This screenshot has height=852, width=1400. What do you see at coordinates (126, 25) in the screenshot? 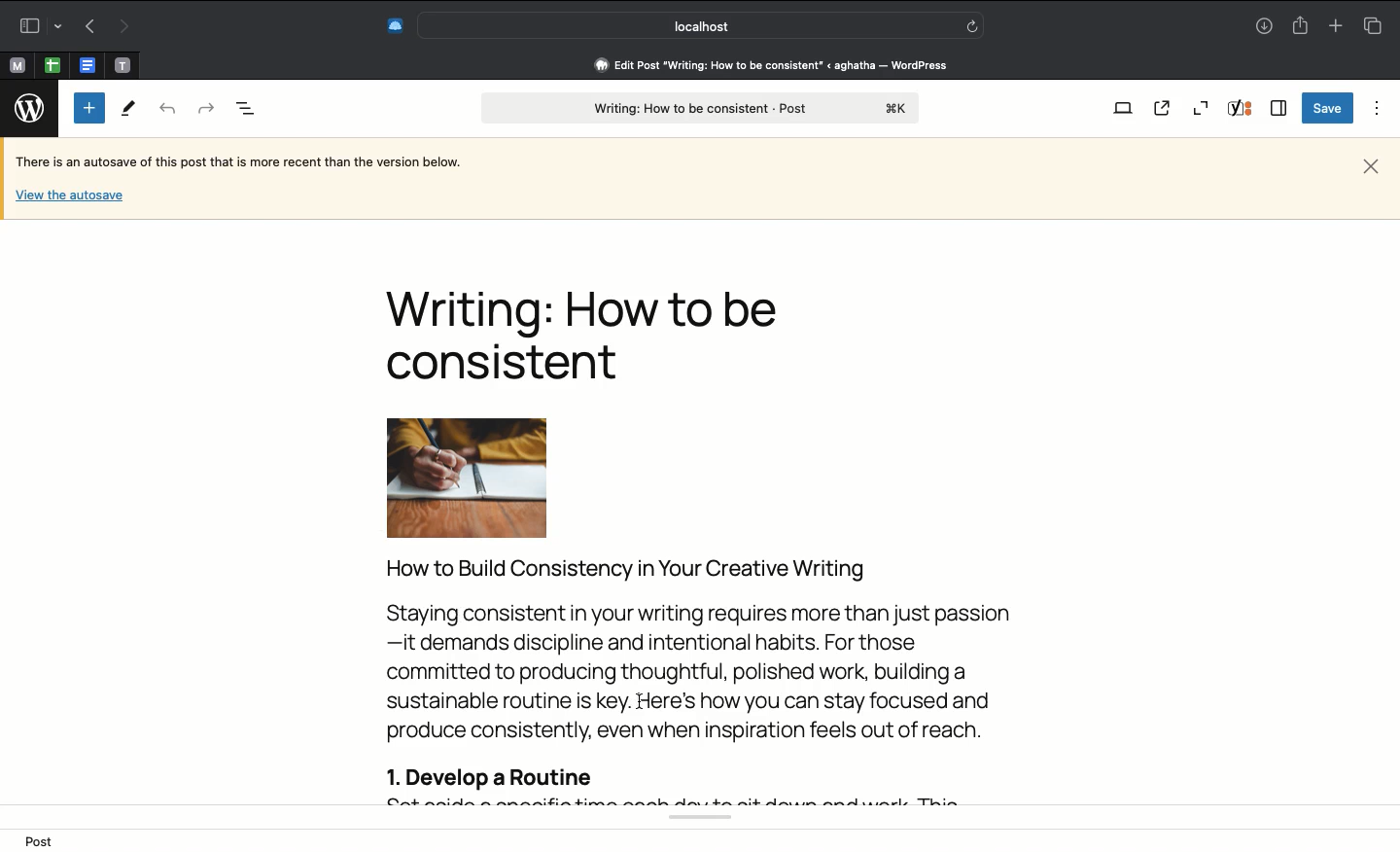
I see `Next page` at bounding box center [126, 25].